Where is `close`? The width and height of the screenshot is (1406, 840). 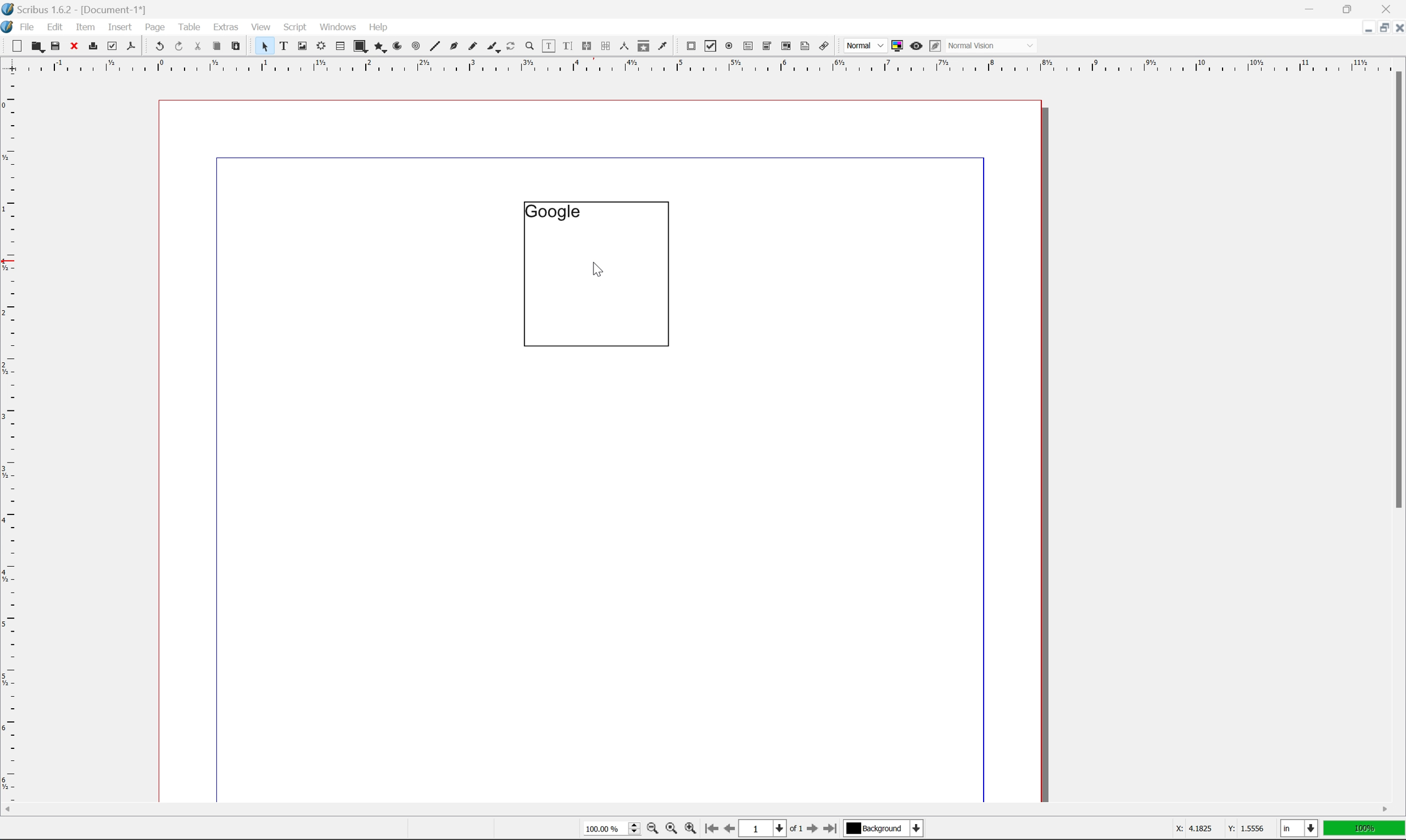
close is located at coordinates (75, 45).